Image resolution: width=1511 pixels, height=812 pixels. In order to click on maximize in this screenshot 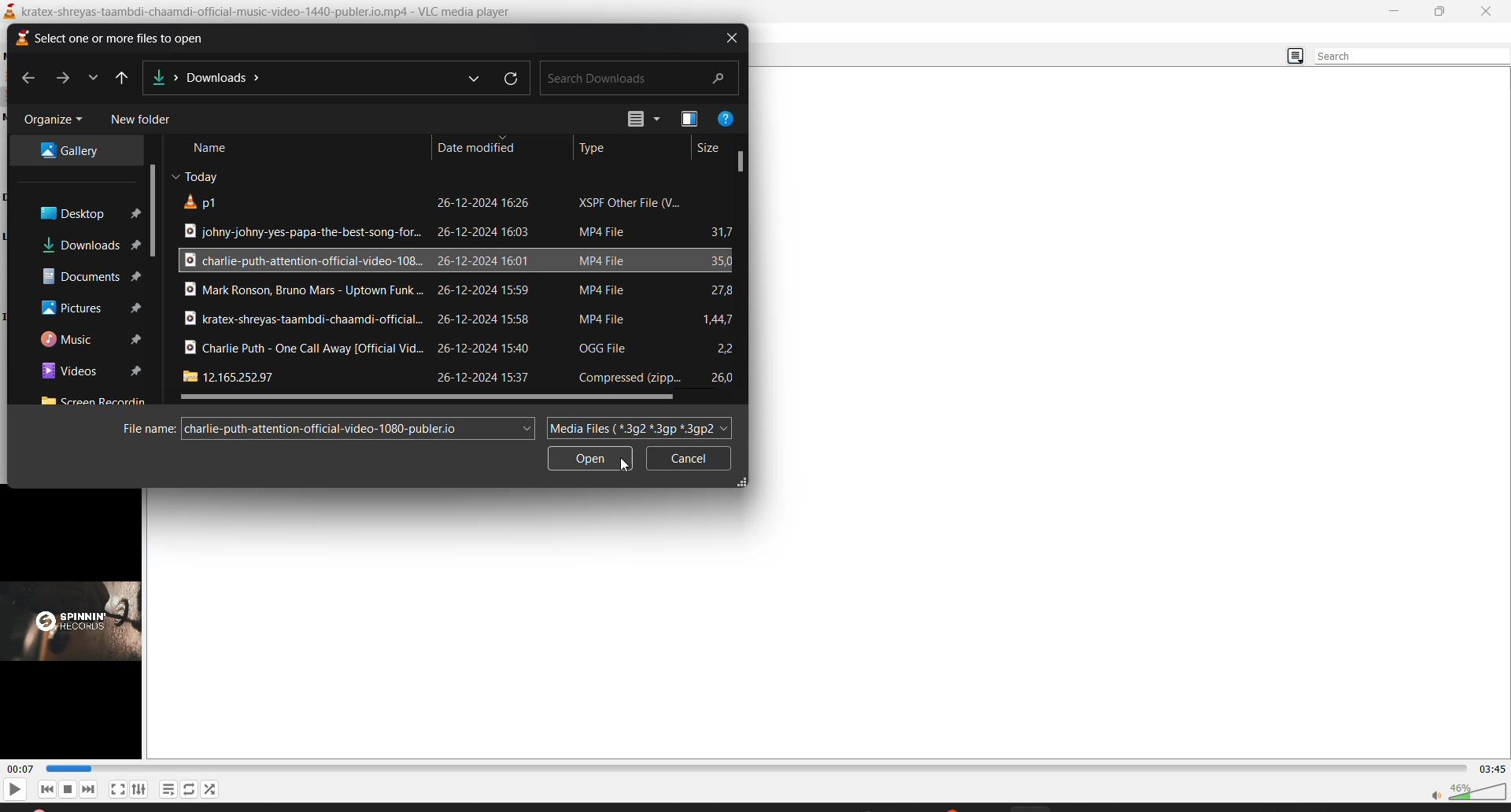, I will do `click(1445, 13)`.